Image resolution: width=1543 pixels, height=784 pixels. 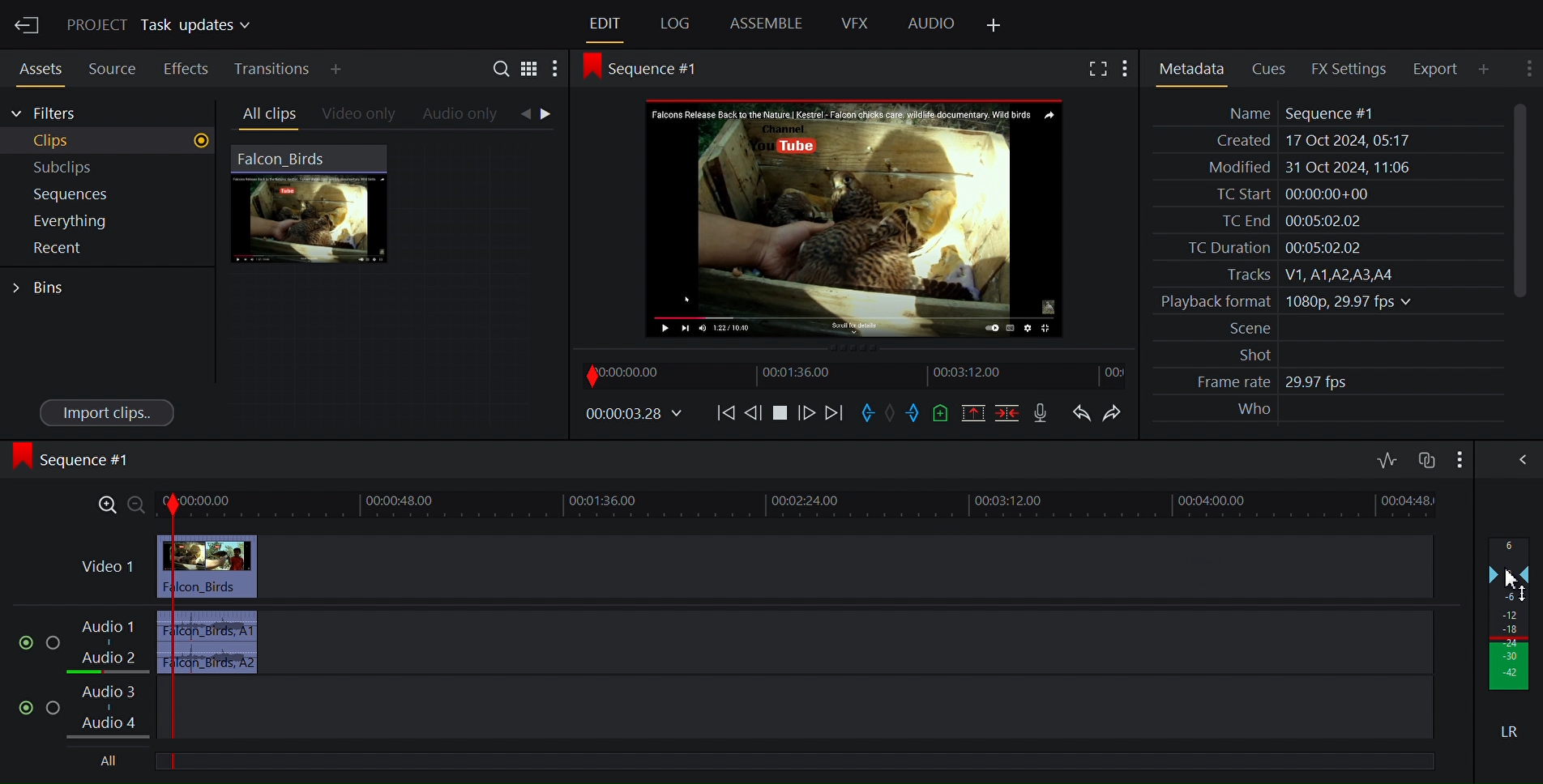 I want to click on Audio only, so click(x=464, y=115).